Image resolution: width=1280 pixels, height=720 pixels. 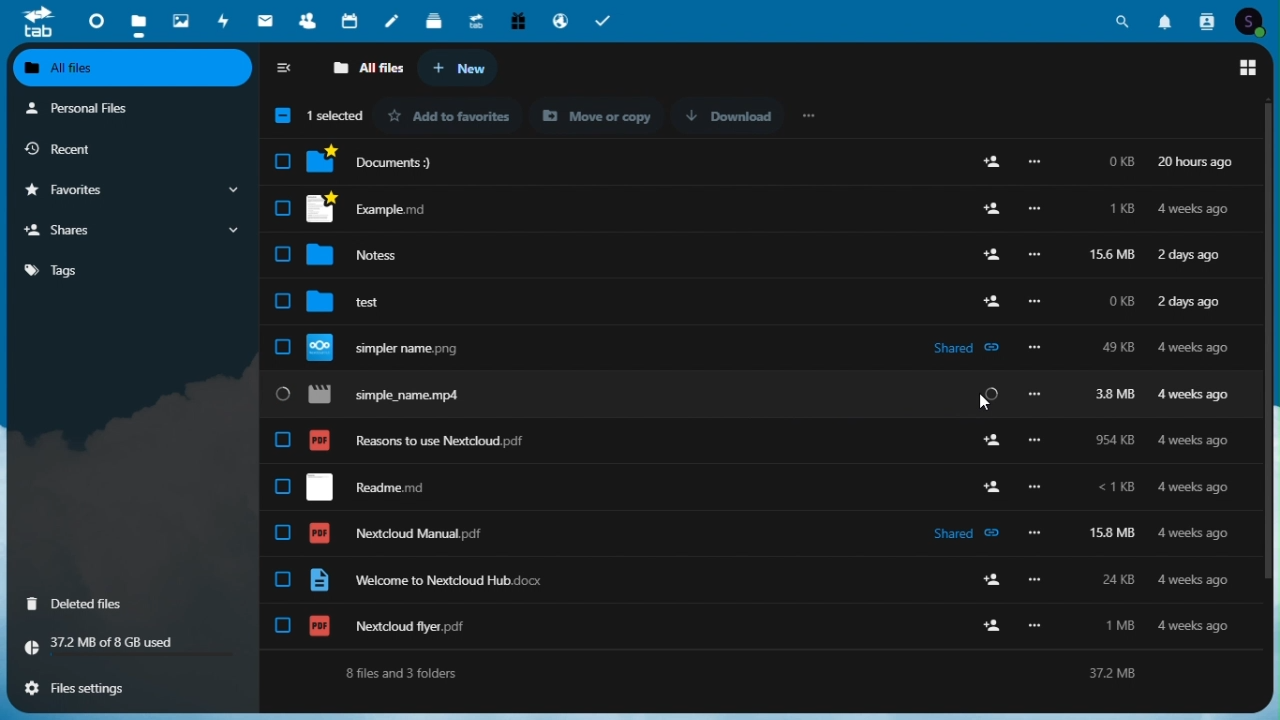 I want to click on Personal files, so click(x=127, y=108).